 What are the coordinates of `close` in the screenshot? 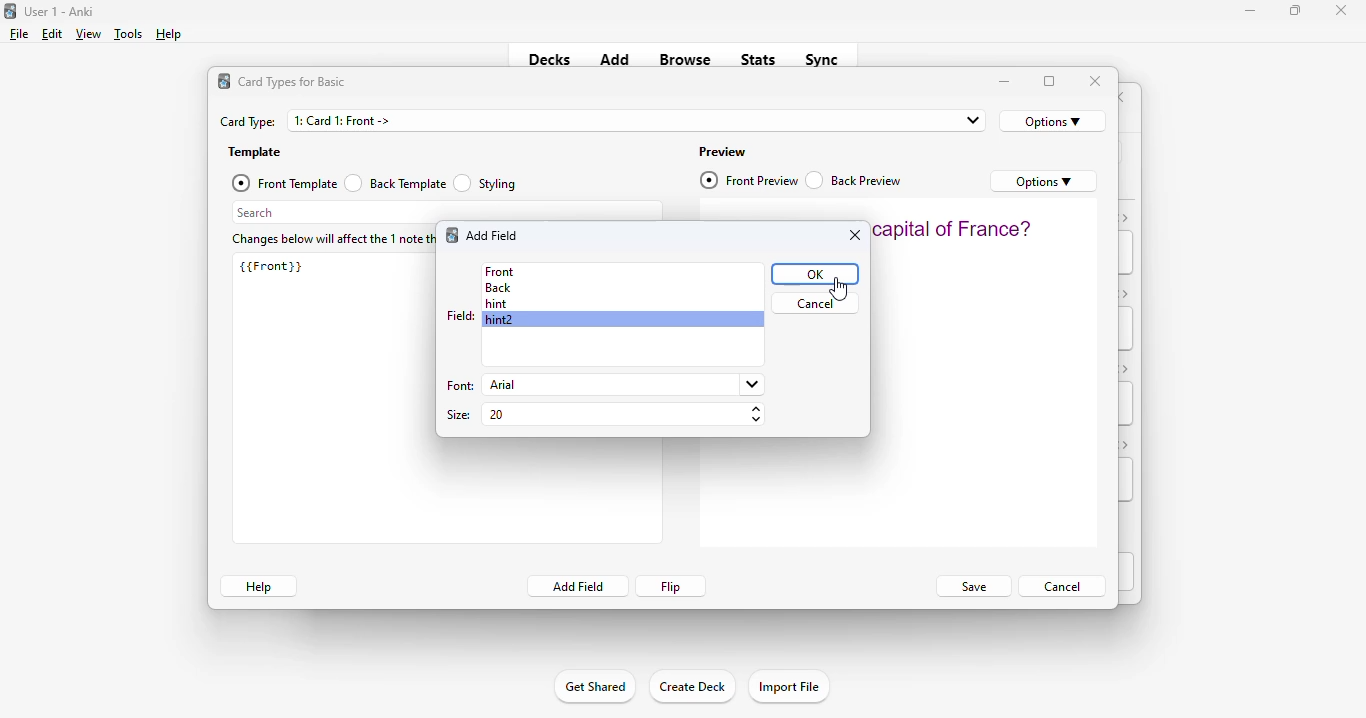 It's located at (854, 236).